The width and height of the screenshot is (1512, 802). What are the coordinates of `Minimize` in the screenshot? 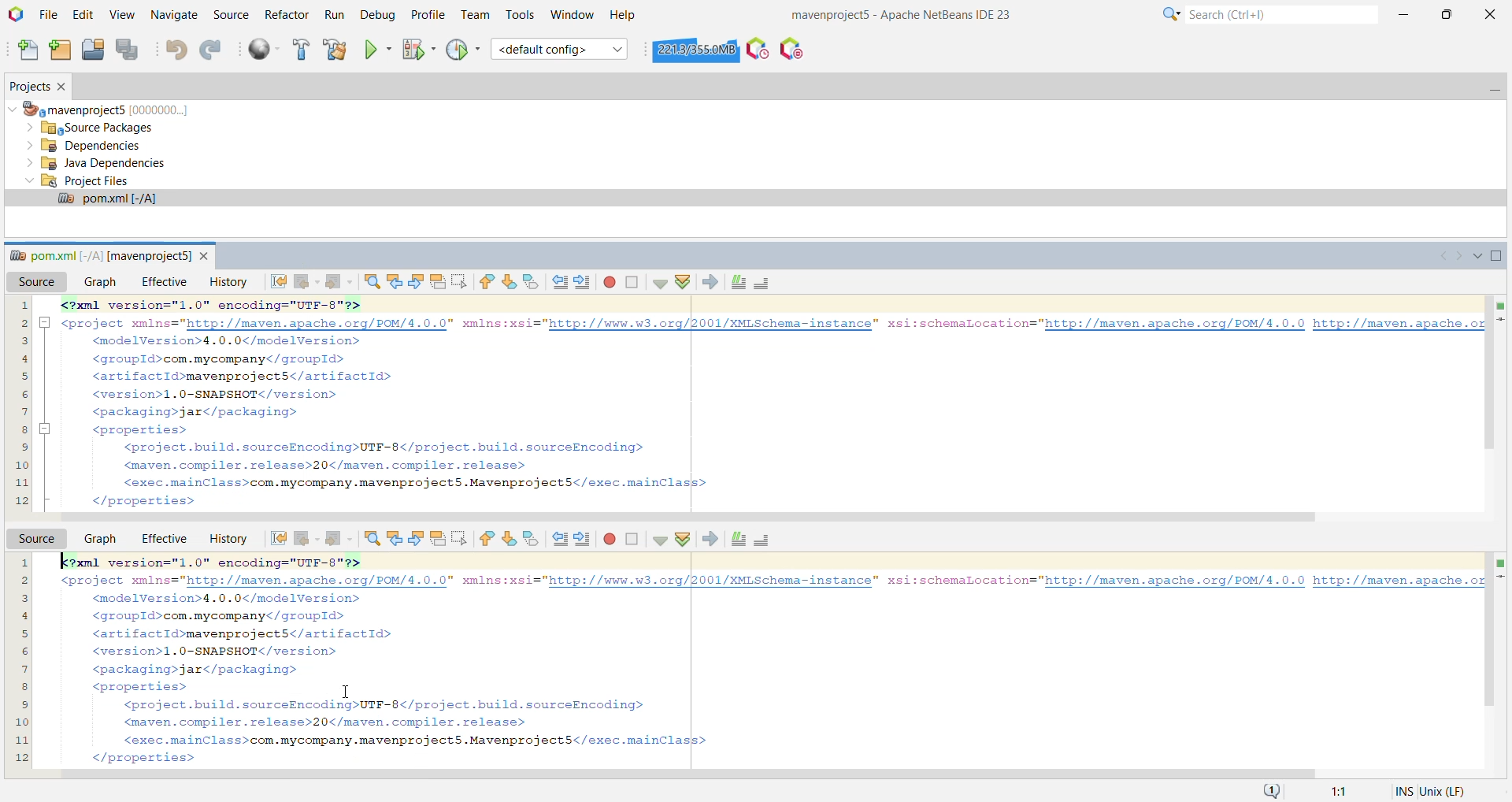 It's located at (1406, 12).